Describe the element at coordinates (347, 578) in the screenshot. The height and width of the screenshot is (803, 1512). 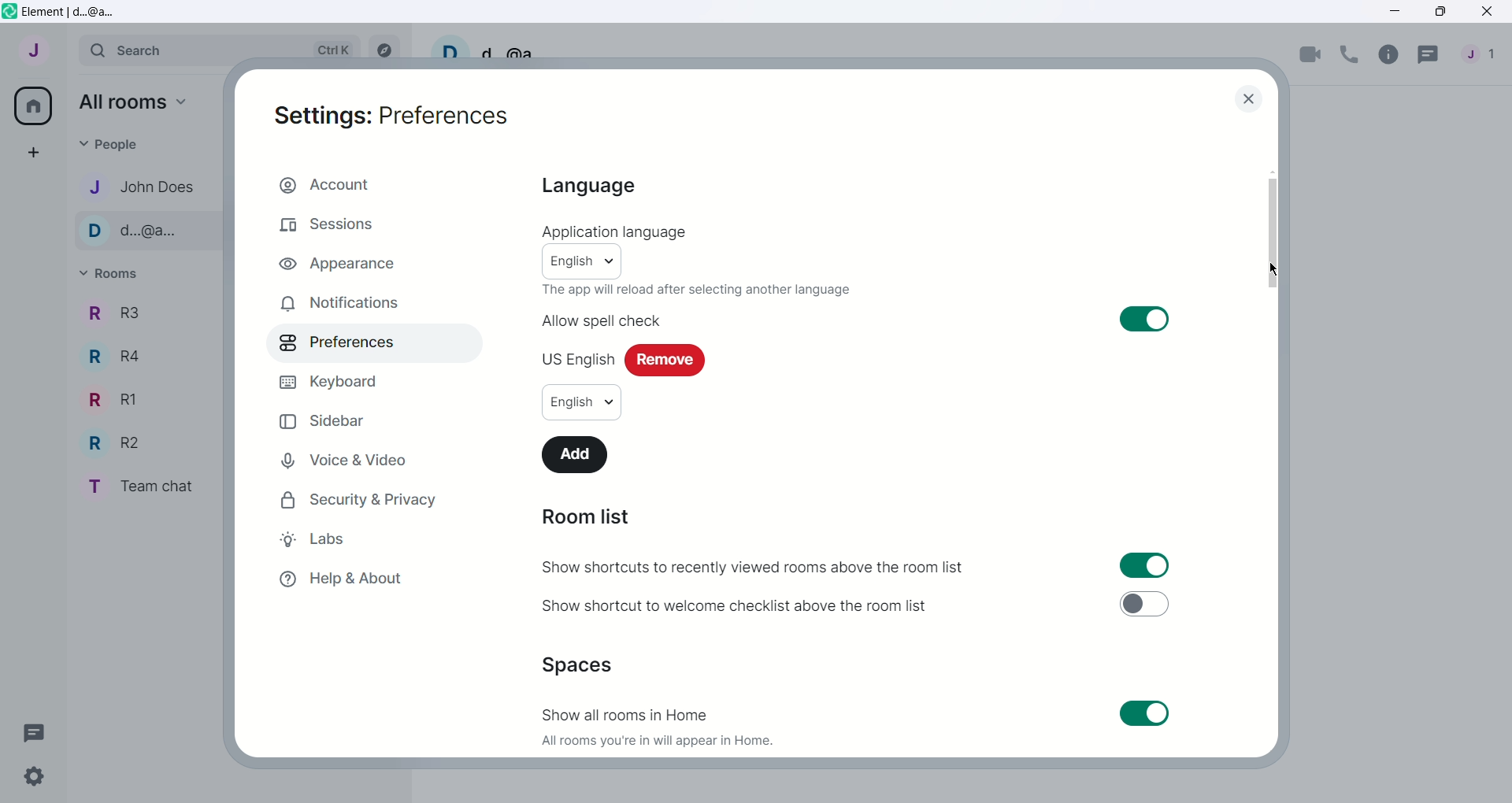
I see `Help and About` at that location.